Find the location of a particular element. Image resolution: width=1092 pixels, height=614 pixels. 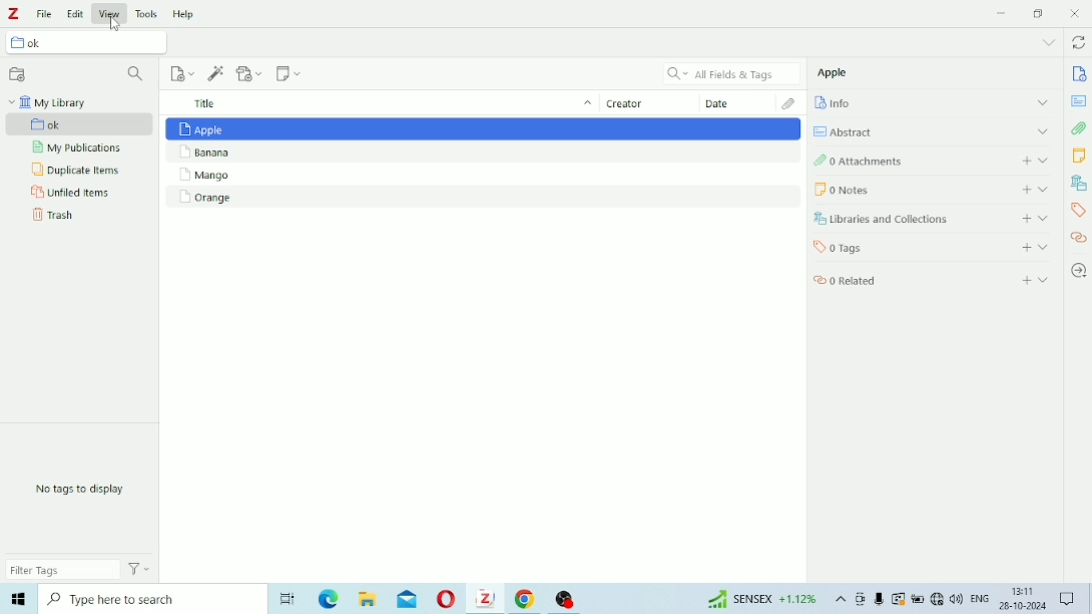

Chart is located at coordinates (757, 601).